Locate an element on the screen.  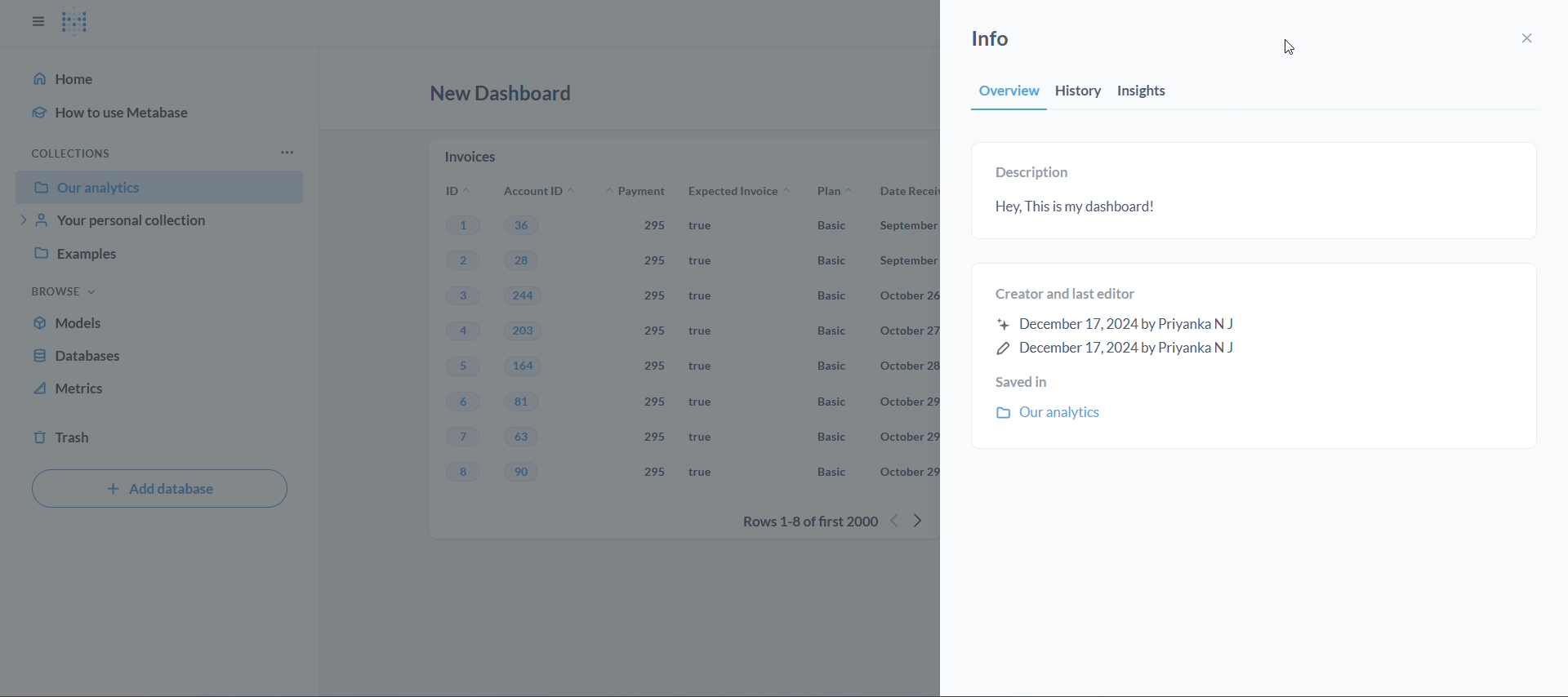
overview is located at coordinates (996, 94).